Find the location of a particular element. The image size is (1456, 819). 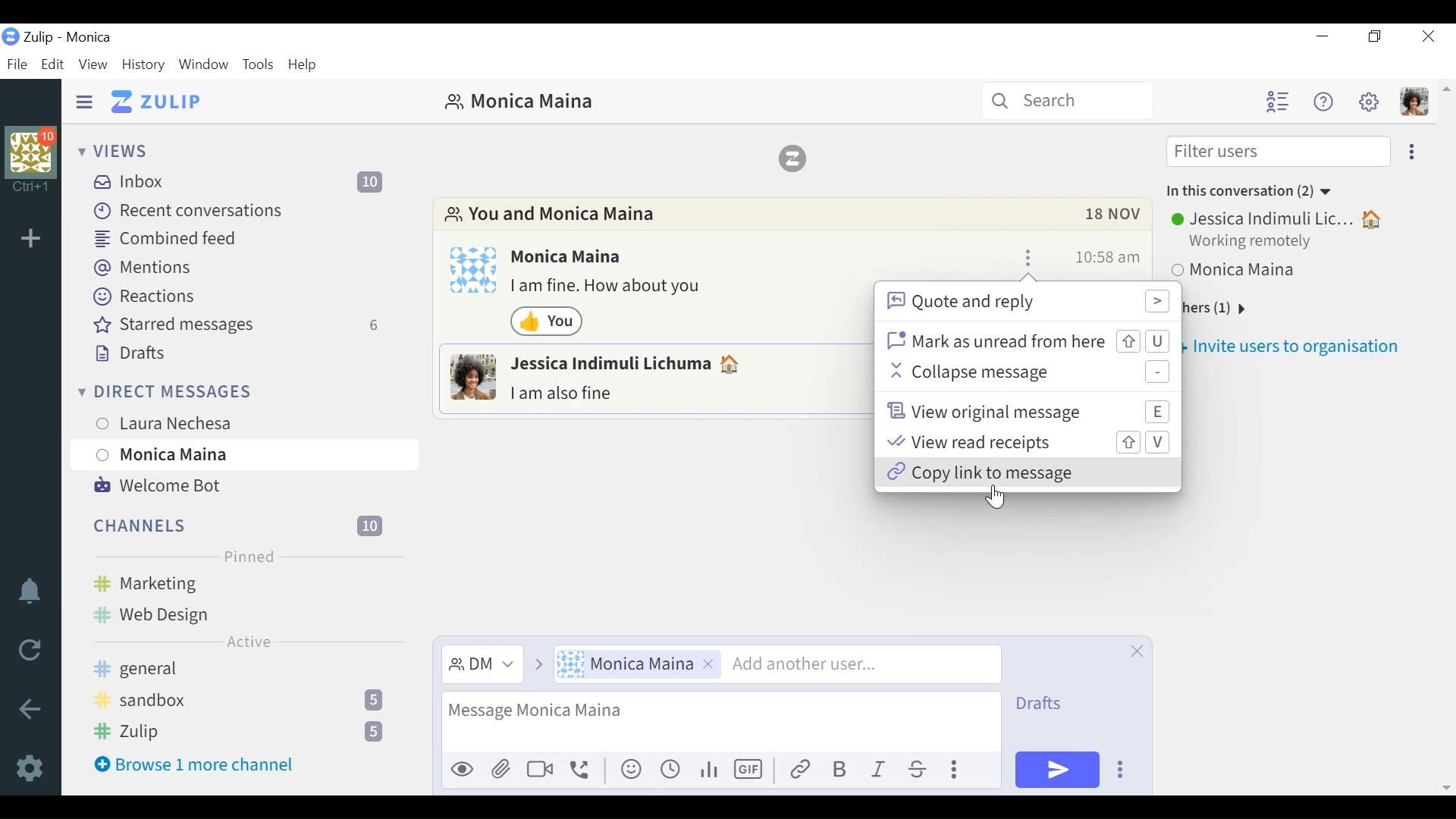

Help menu is located at coordinates (1323, 103).